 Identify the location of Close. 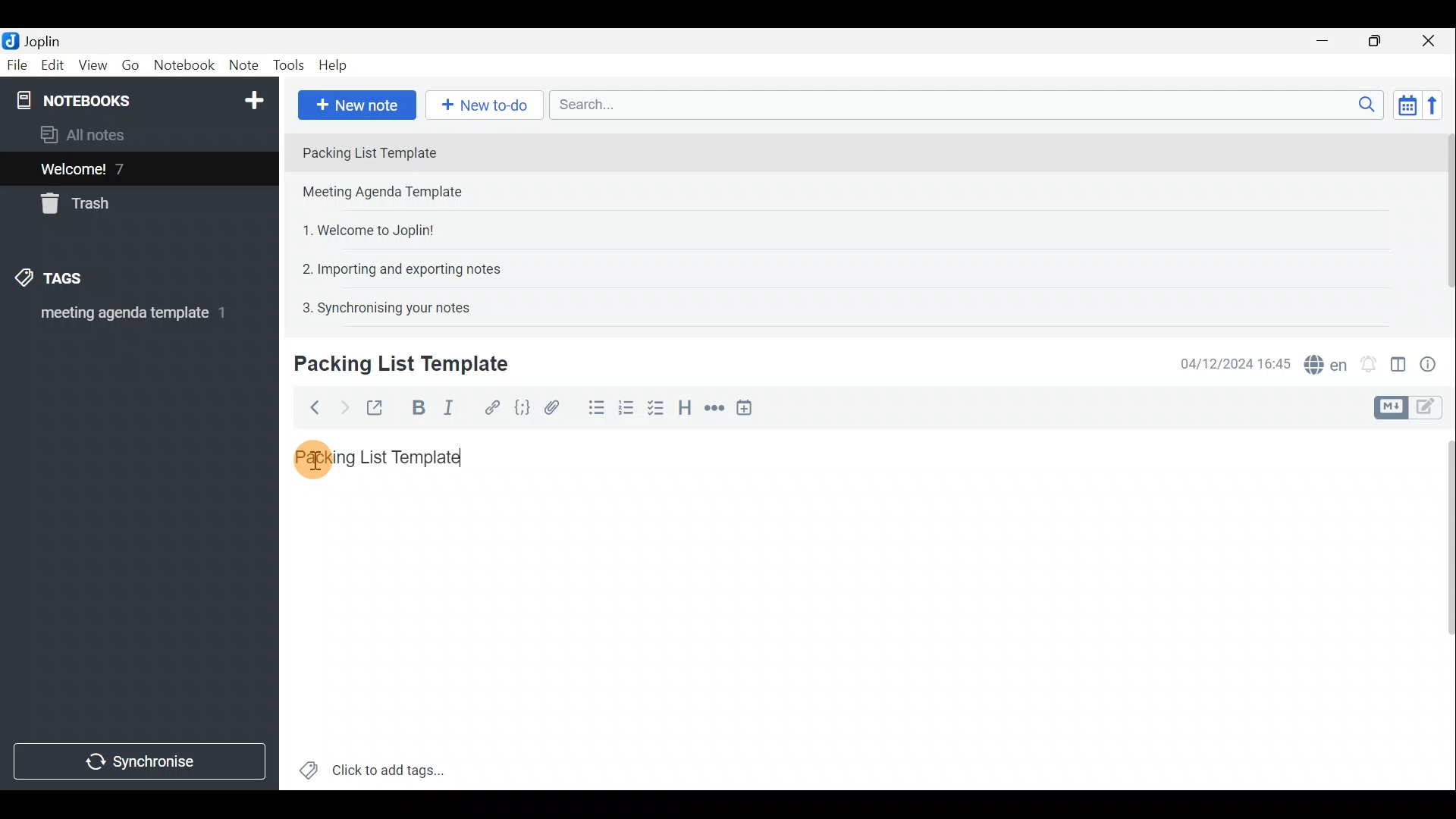
(1433, 40).